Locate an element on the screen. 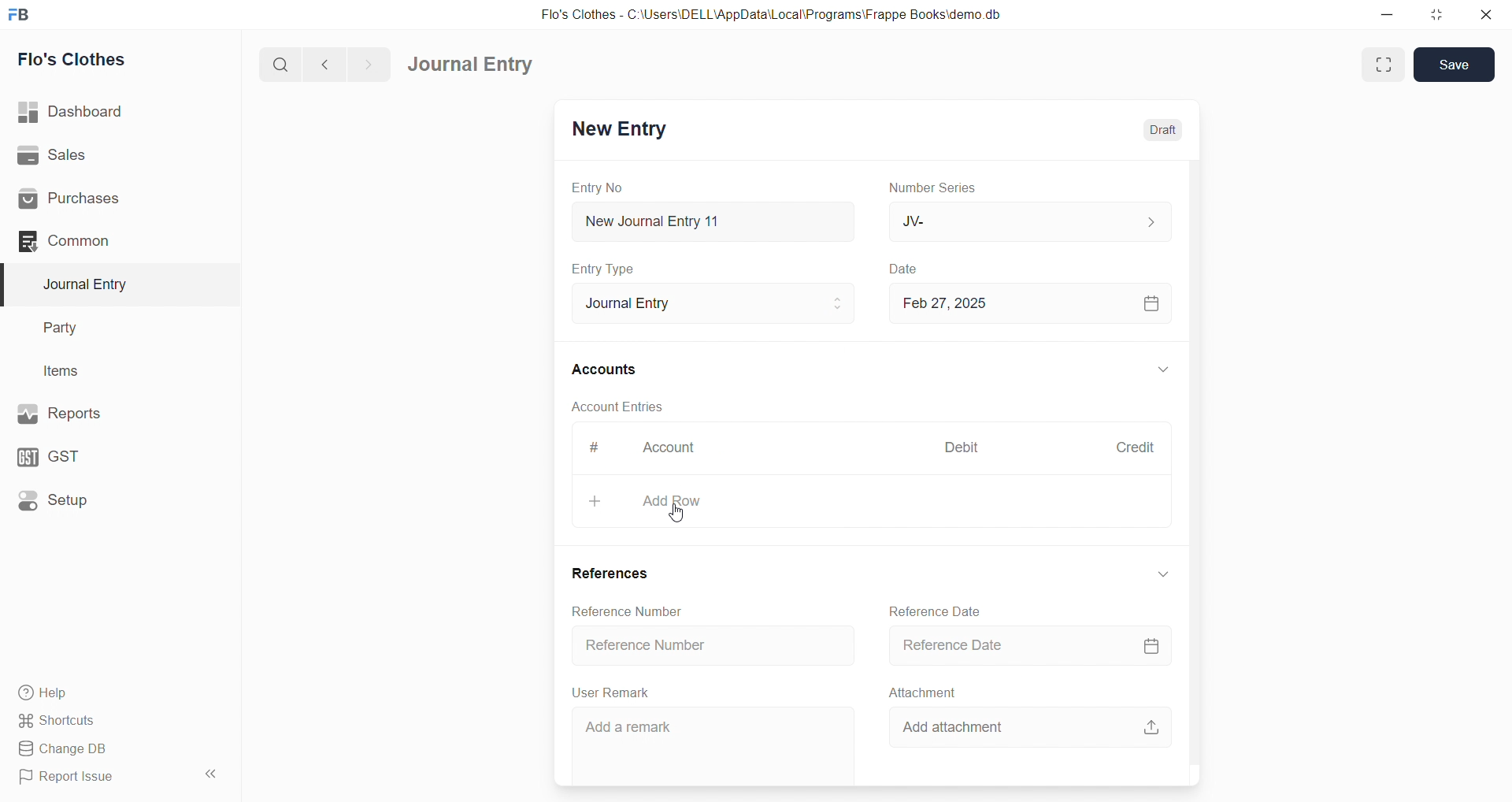 The height and width of the screenshot is (802, 1512). Draft is located at coordinates (1164, 129).